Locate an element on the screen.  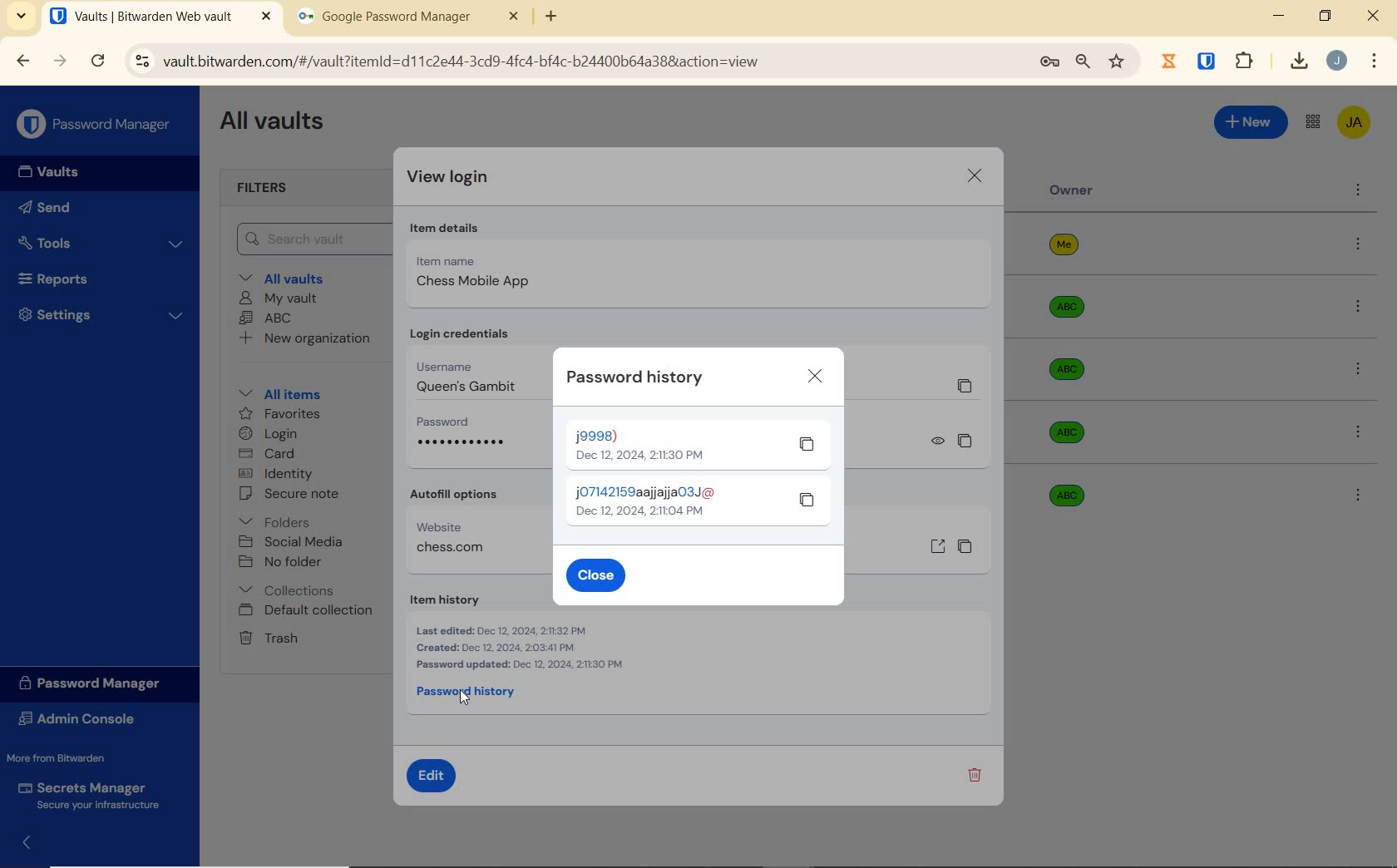
Username is located at coordinates (470, 364).